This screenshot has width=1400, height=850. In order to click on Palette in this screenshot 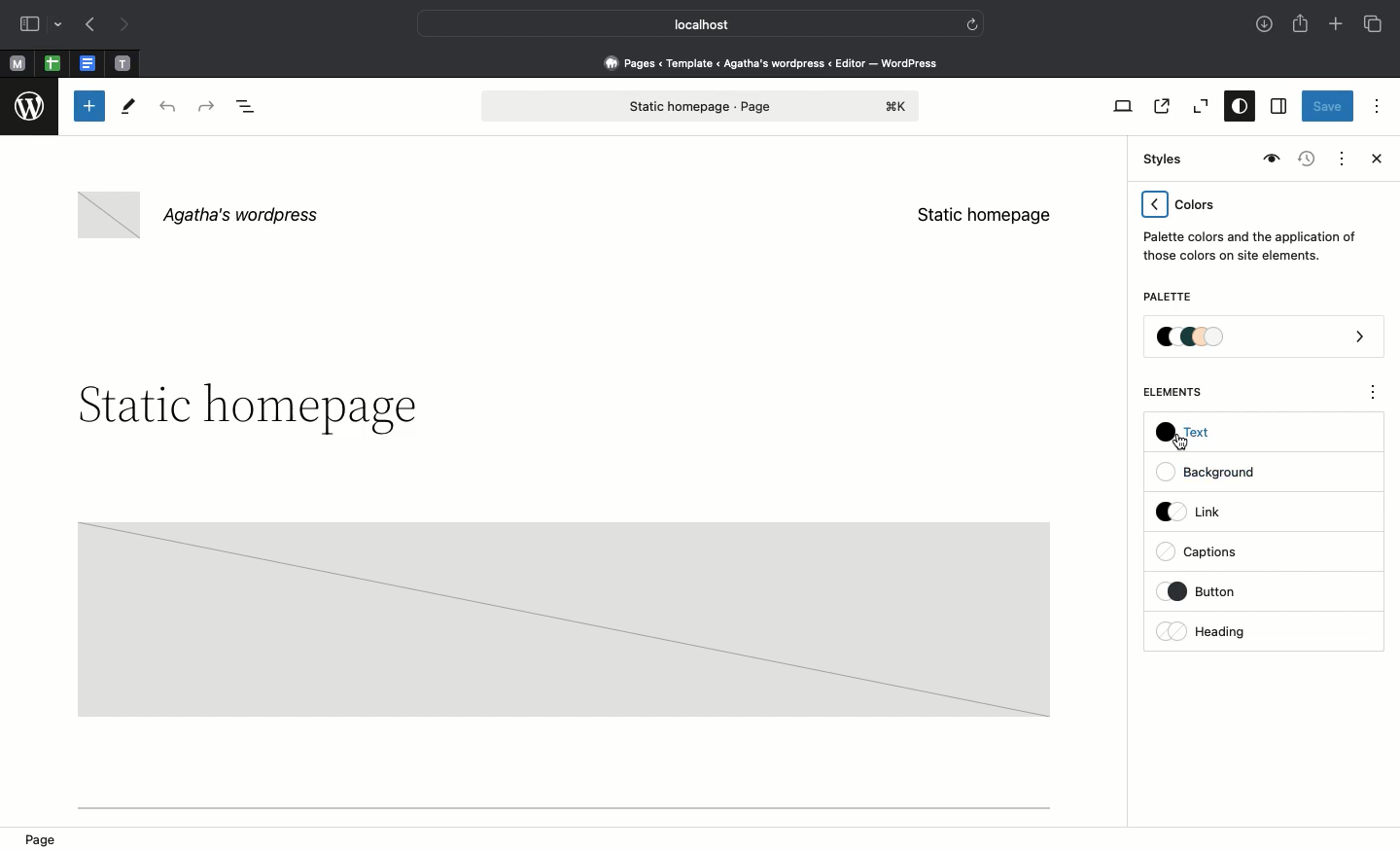, I will do `click(1167, 299)`.